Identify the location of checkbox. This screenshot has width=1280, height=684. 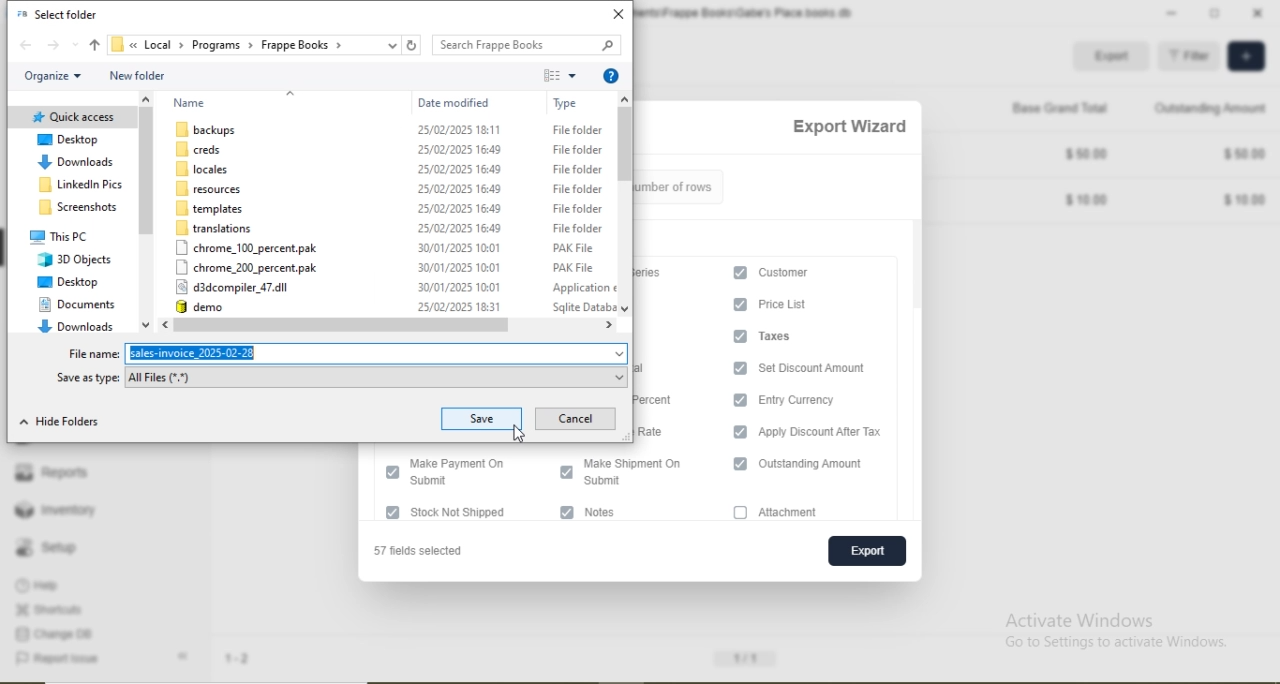
(740, 431).